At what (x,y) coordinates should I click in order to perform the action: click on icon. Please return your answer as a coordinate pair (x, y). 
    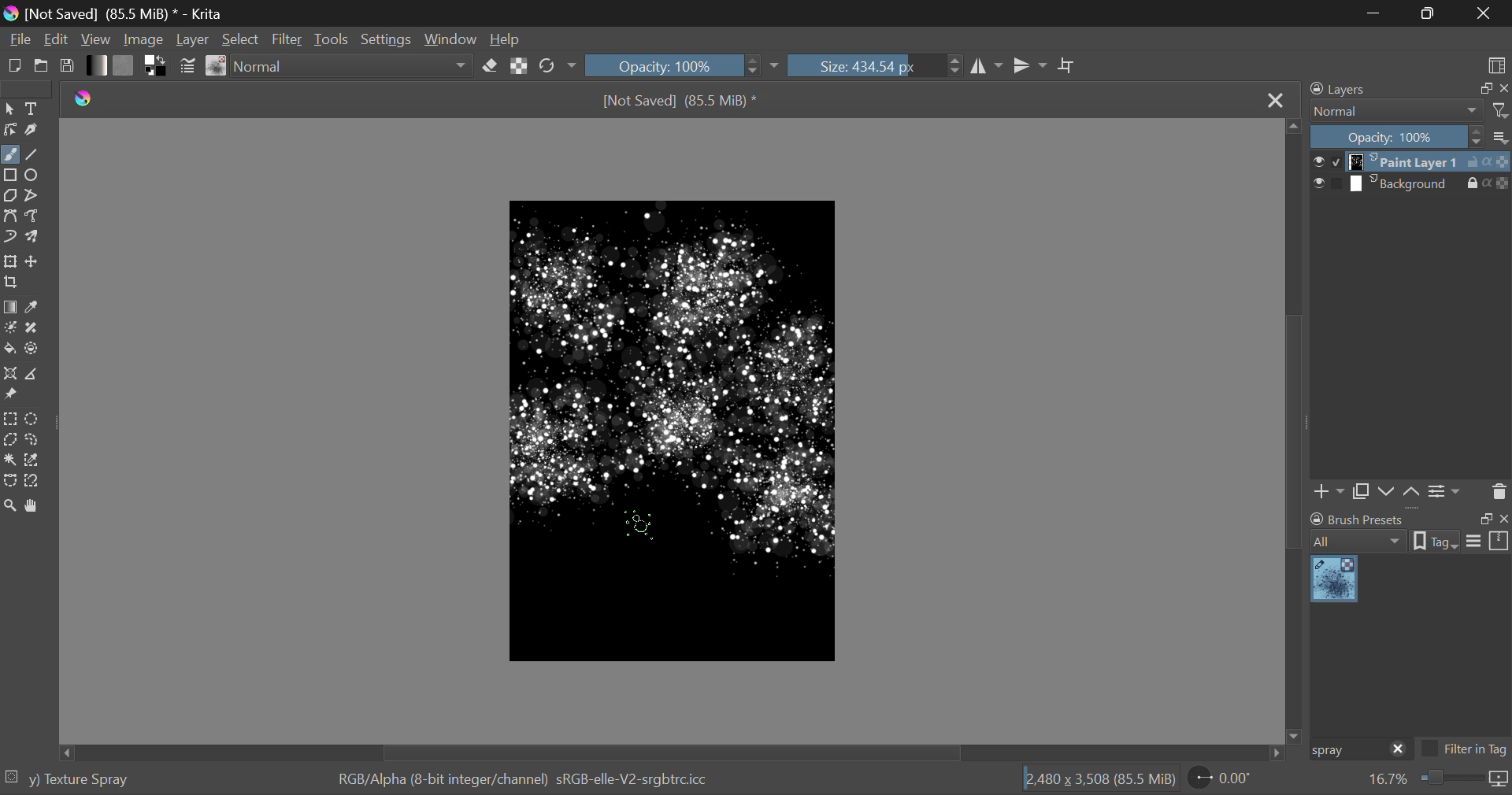
    Looking at the image, I should click on (1499, 780).